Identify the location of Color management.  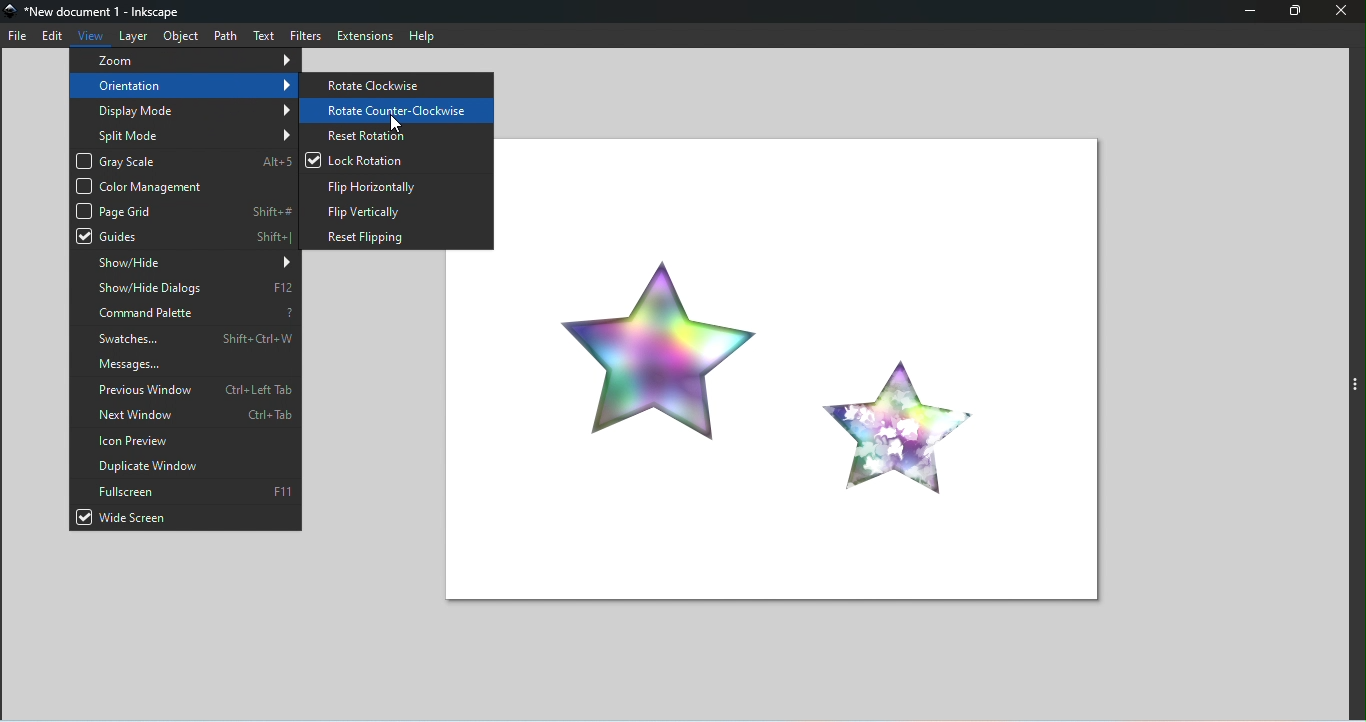
(183, 184).